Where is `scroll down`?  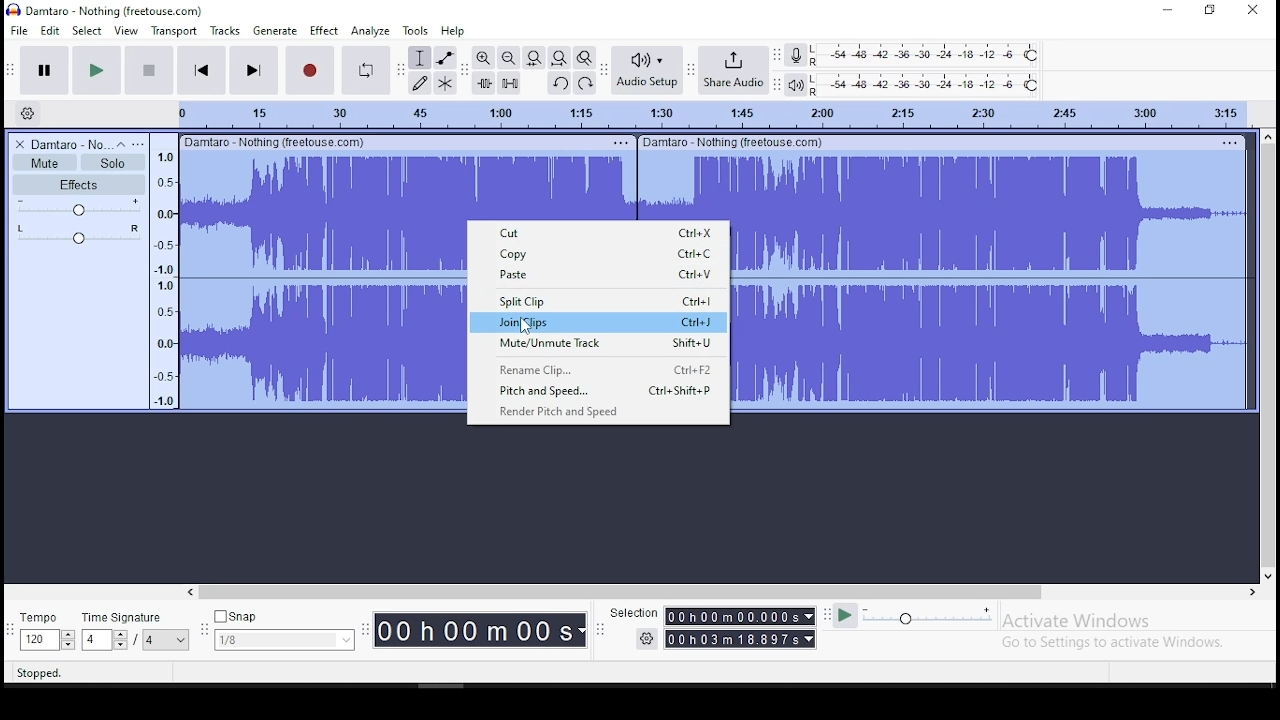 scroll down is located at coordinates (1269, 576).